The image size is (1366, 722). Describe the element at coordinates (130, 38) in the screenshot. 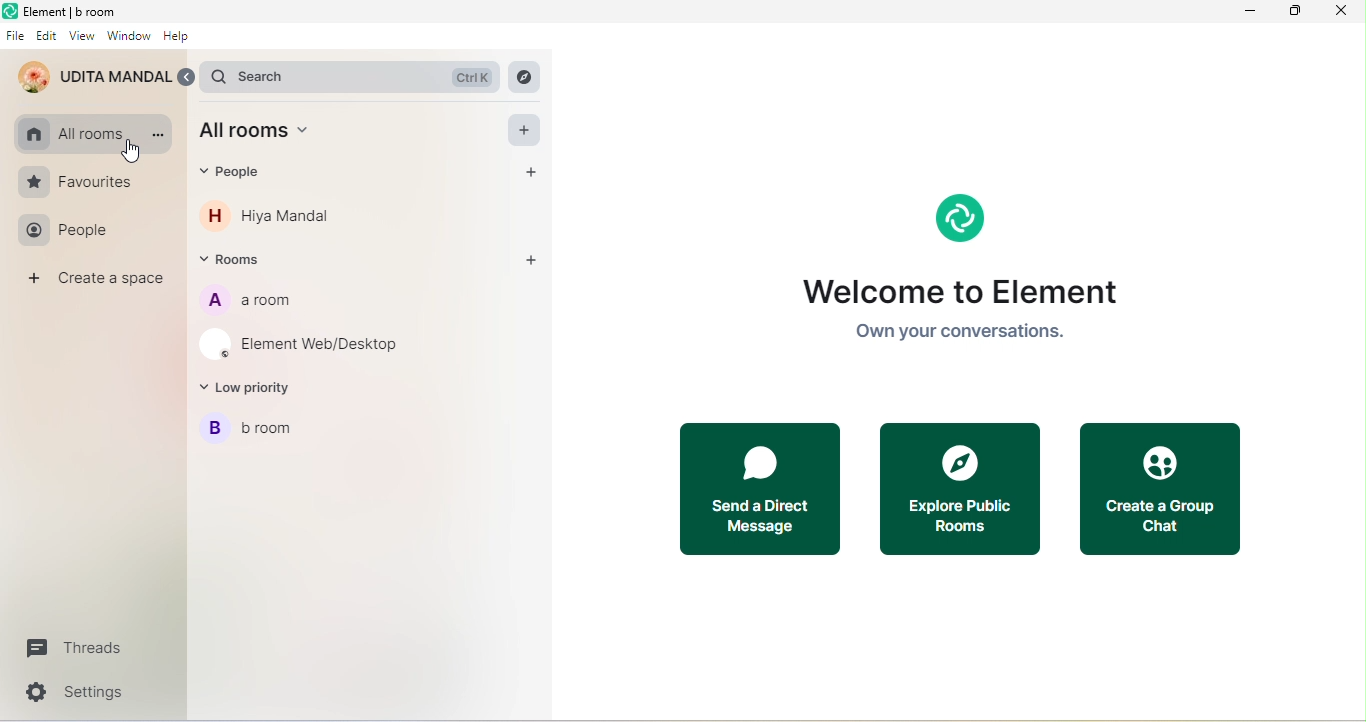

I see `window` at that location.